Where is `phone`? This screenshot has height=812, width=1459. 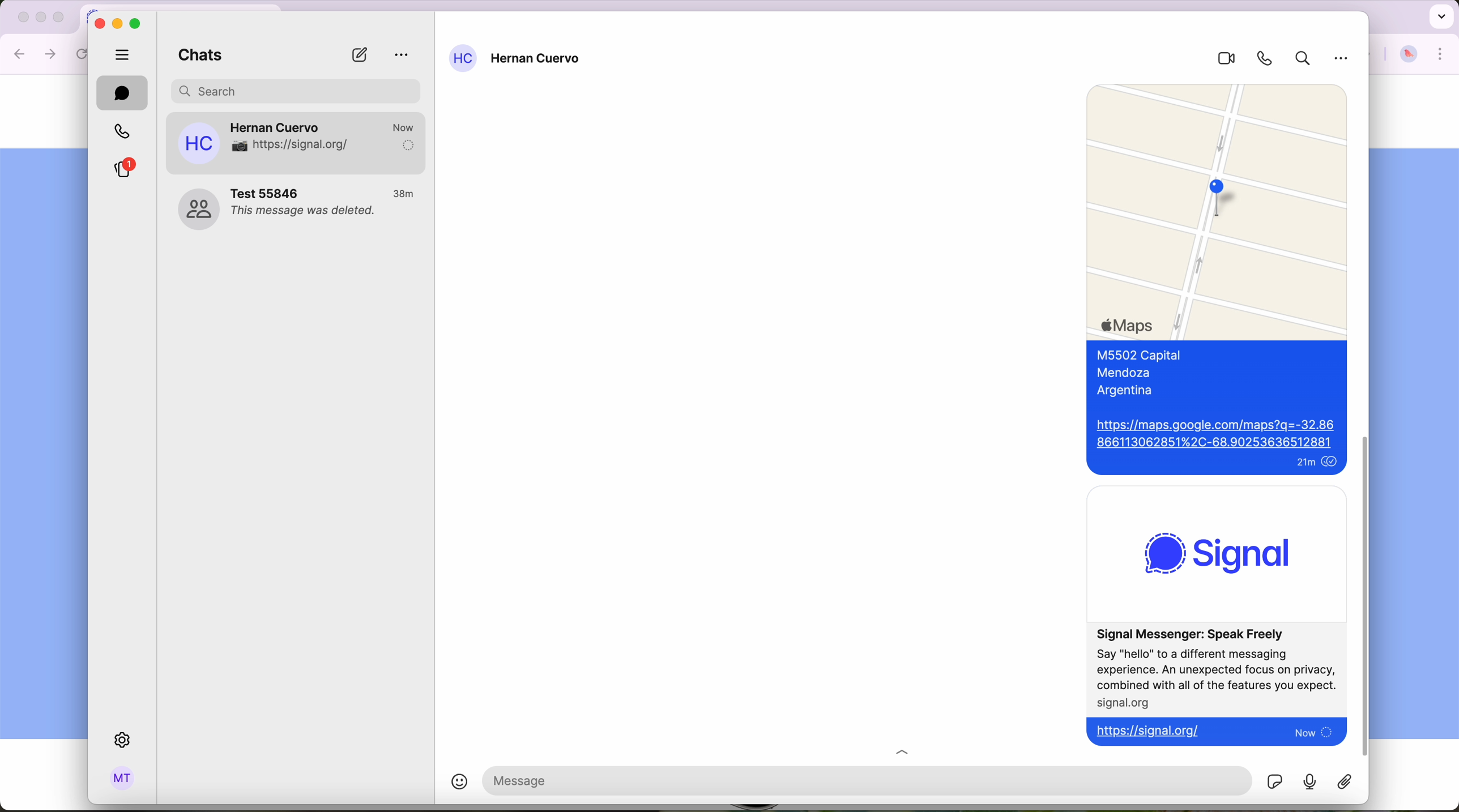 phone is located at coordinates (1261, 58).